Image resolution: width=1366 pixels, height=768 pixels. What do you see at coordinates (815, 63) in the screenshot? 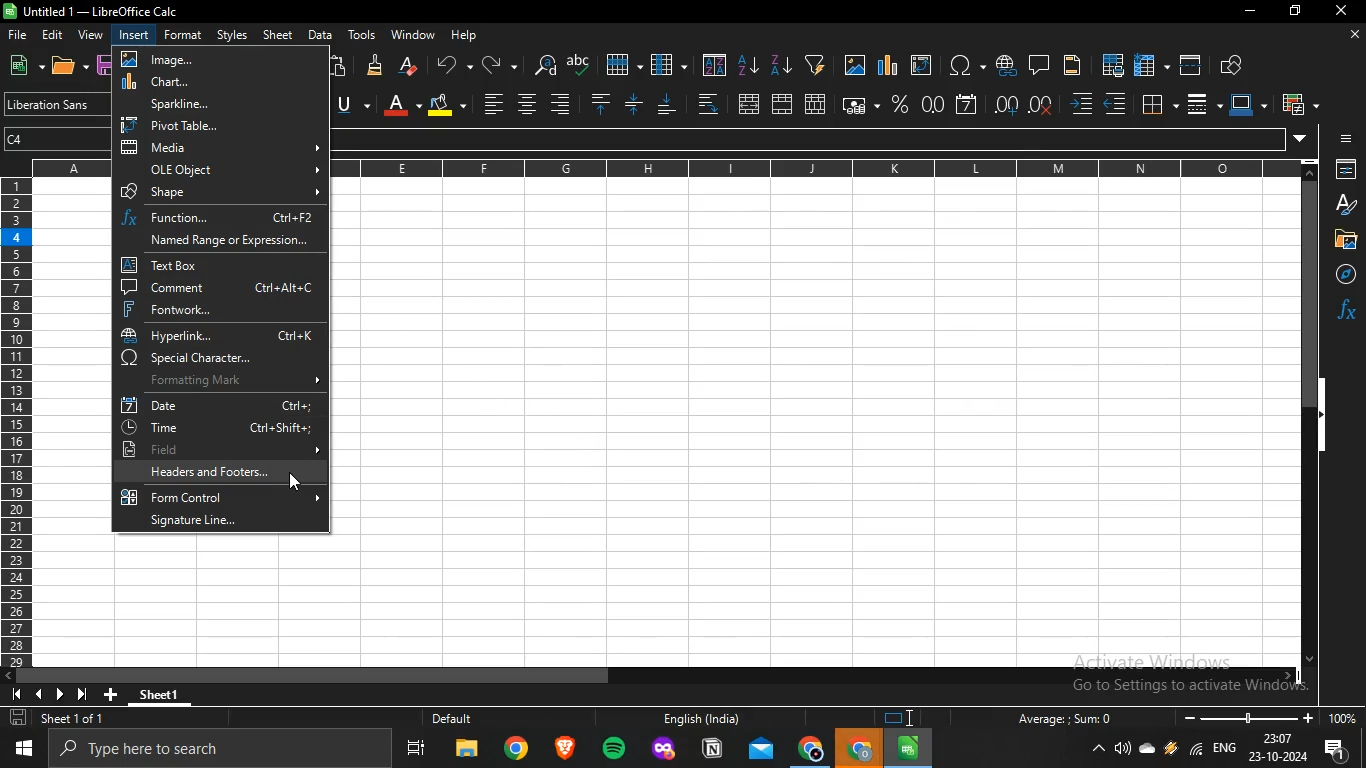
I see `create filter` at bounding box center [815, 63].